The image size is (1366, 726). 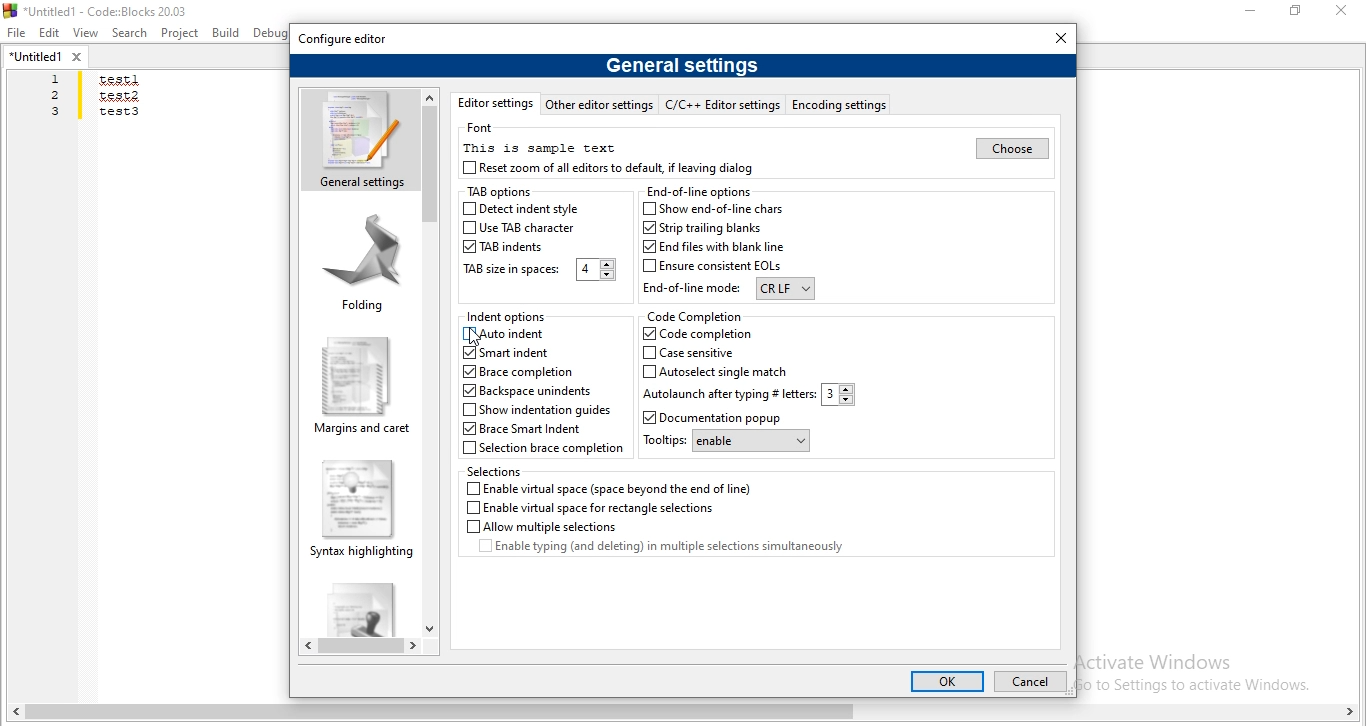 I want to click on general settings, so click(x=682, y=64).